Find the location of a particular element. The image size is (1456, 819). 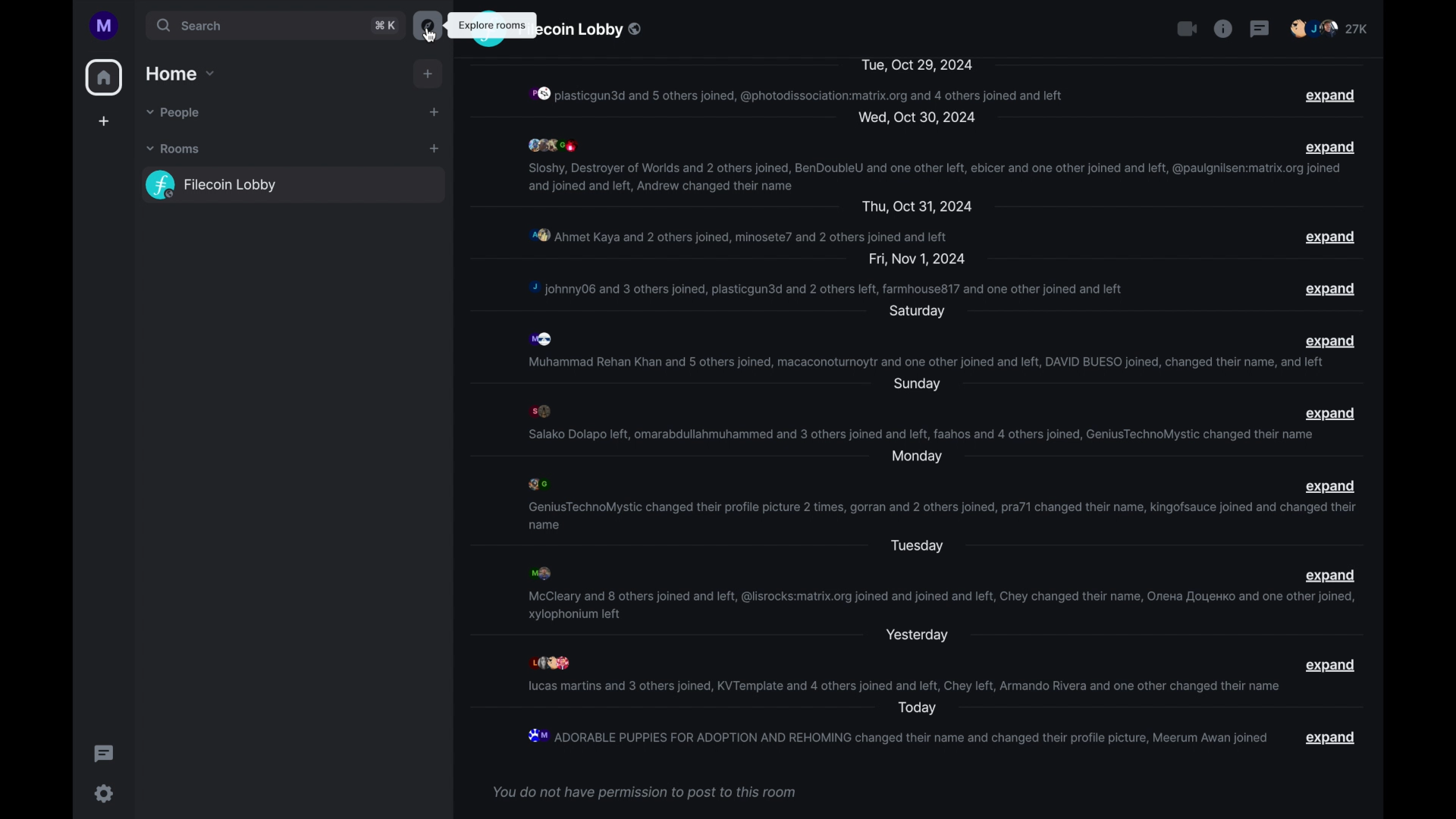

expand is located at coordinates (1331, 289).